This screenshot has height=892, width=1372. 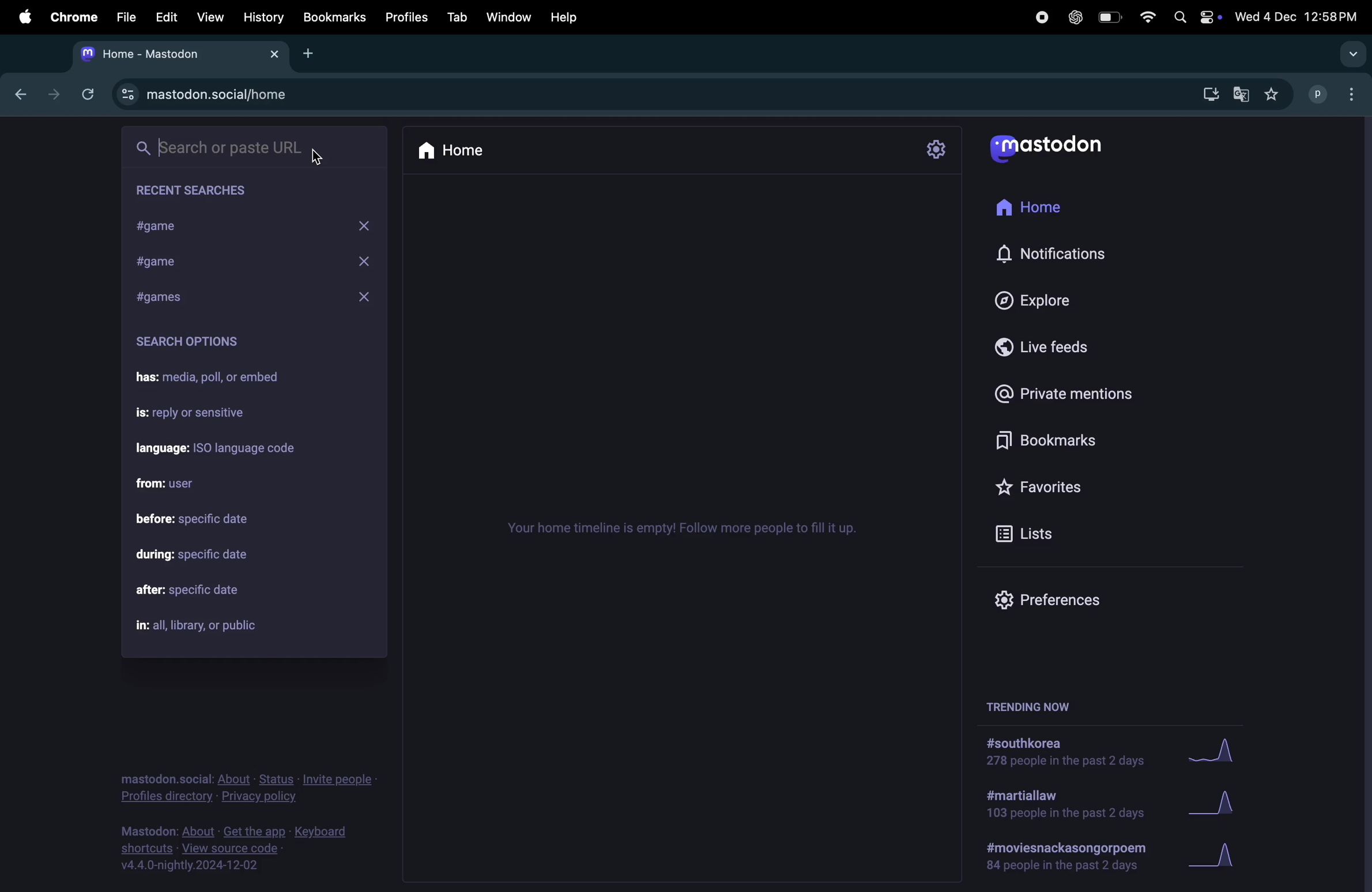 I want to click on mastodon, so click(x=1048, y=148).